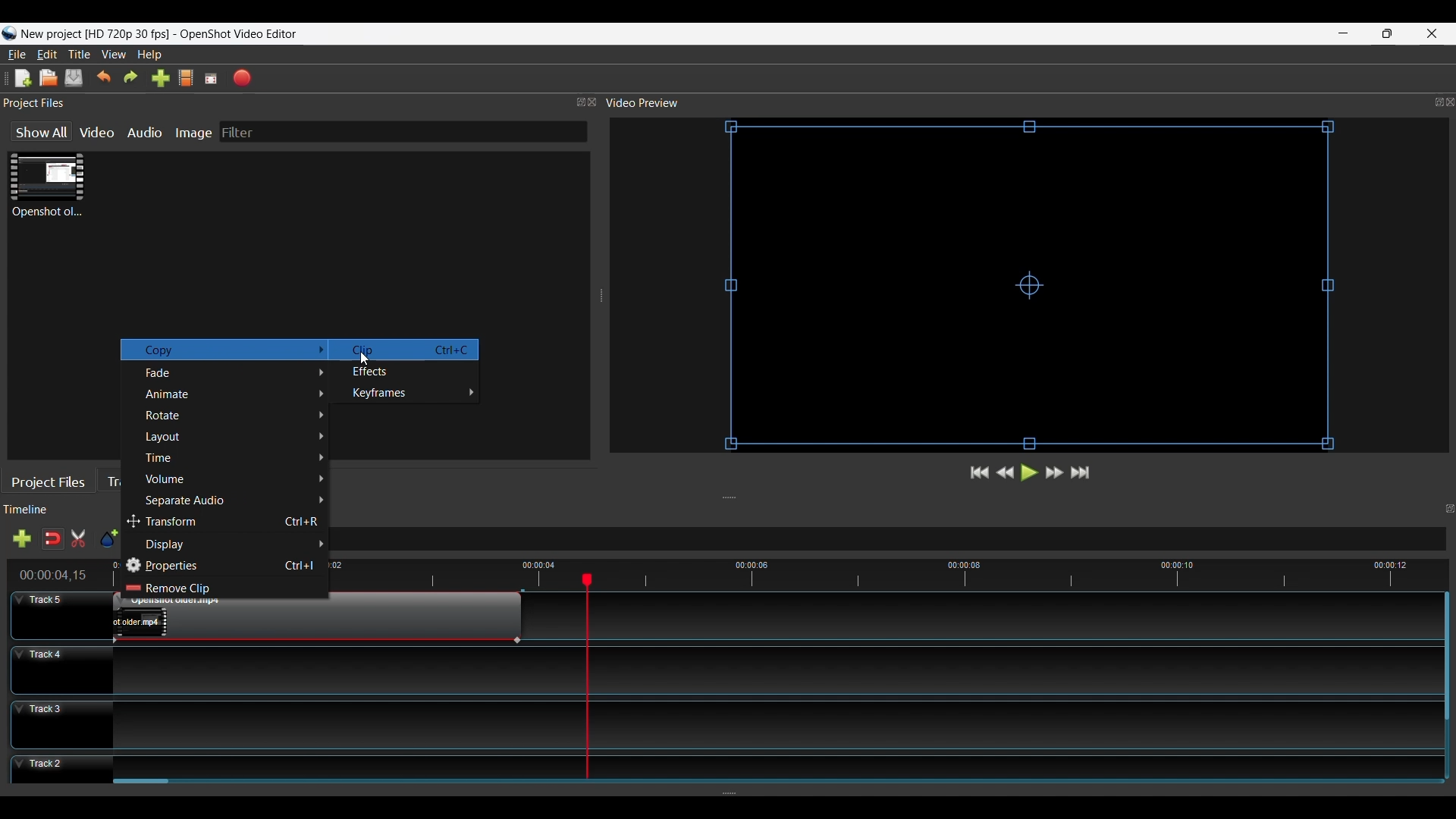 Image resolution: width=1456 pixels, height=819 pixels. What do you see at coordinates (403, 350) in the screenshot?
I see `Clip` at bounding box center [403, 350].